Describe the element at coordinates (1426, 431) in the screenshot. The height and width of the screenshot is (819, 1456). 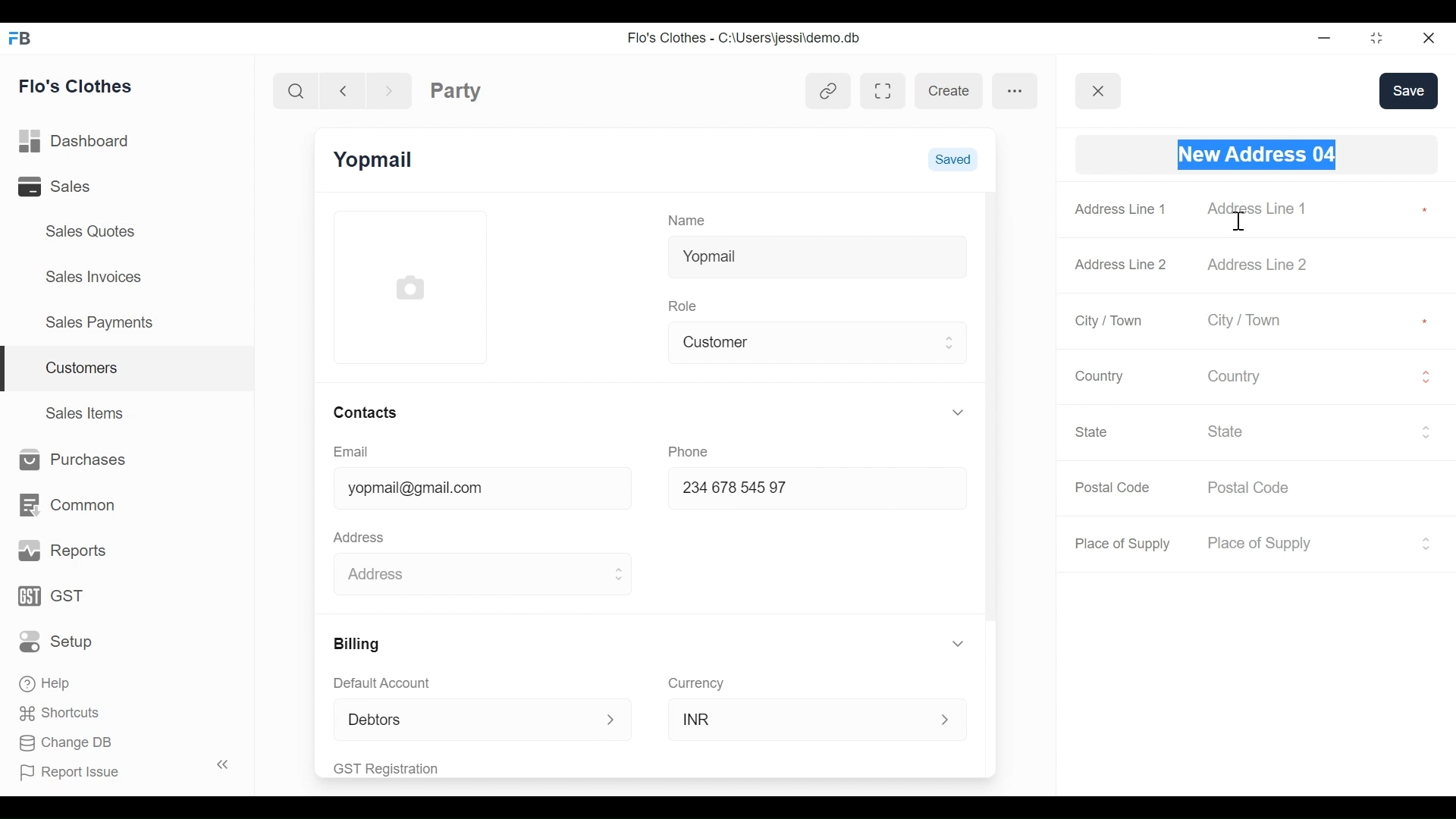
I see `Expand` at that location.